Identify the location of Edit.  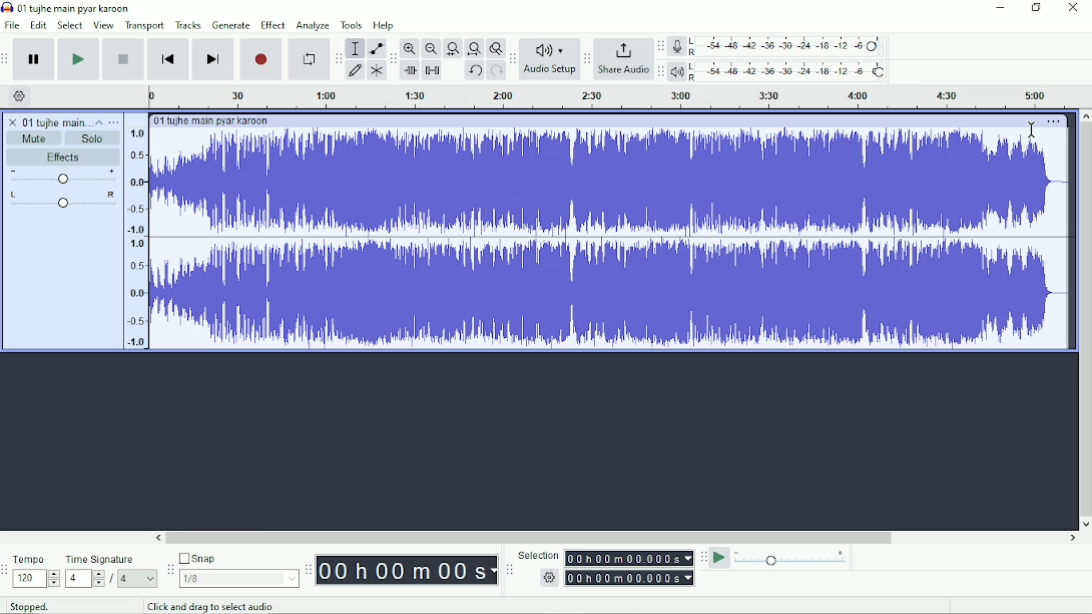
(39, 26).